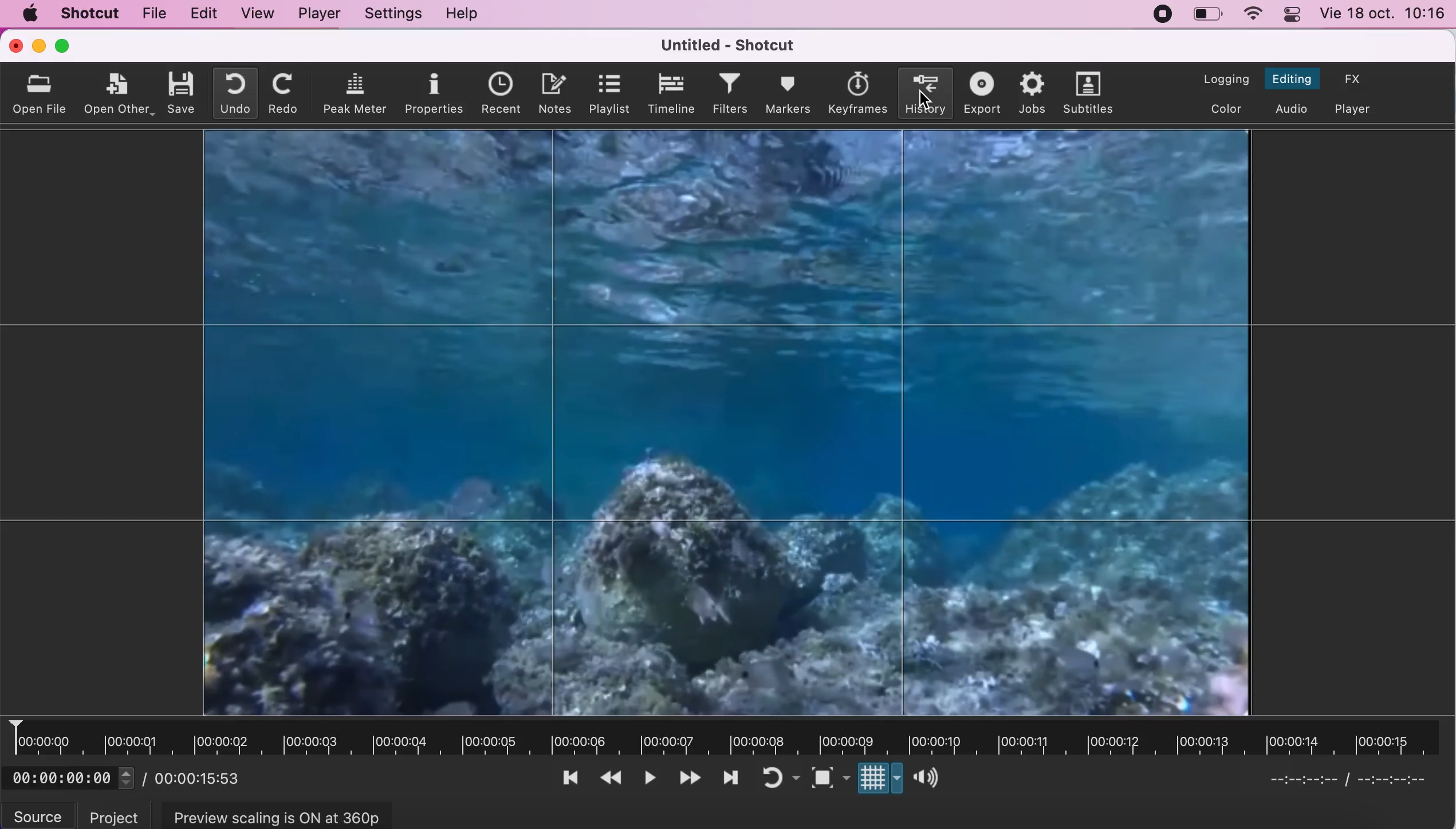 The width and height of the screenshot is (1456, 829). Describe the element at coordinates (69, 46) in the screenshot. I see `maximize` at that location.